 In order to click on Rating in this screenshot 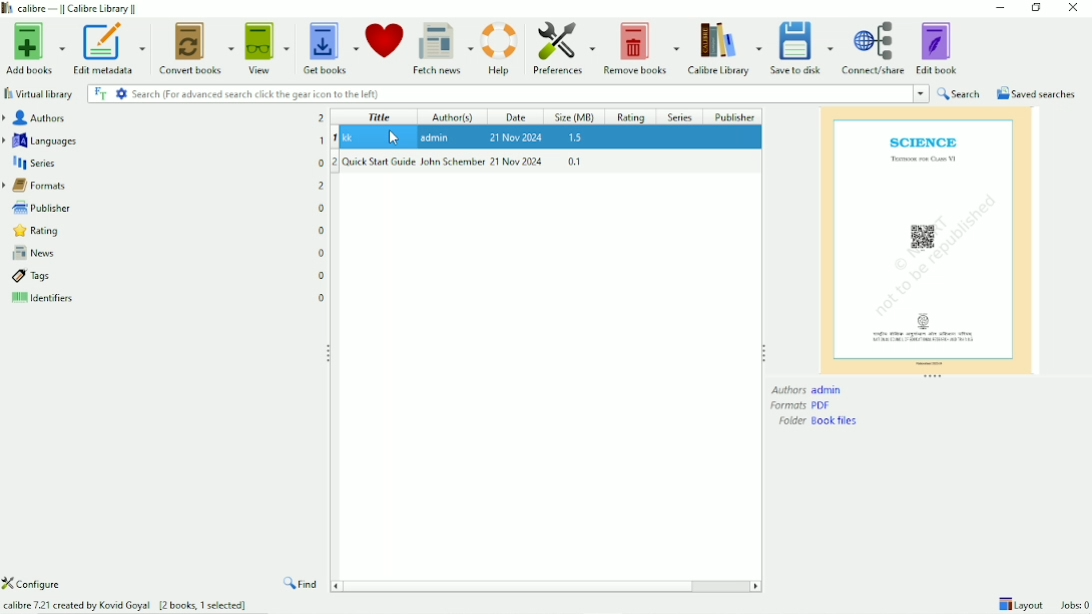, I will do `click(33, 231)`.